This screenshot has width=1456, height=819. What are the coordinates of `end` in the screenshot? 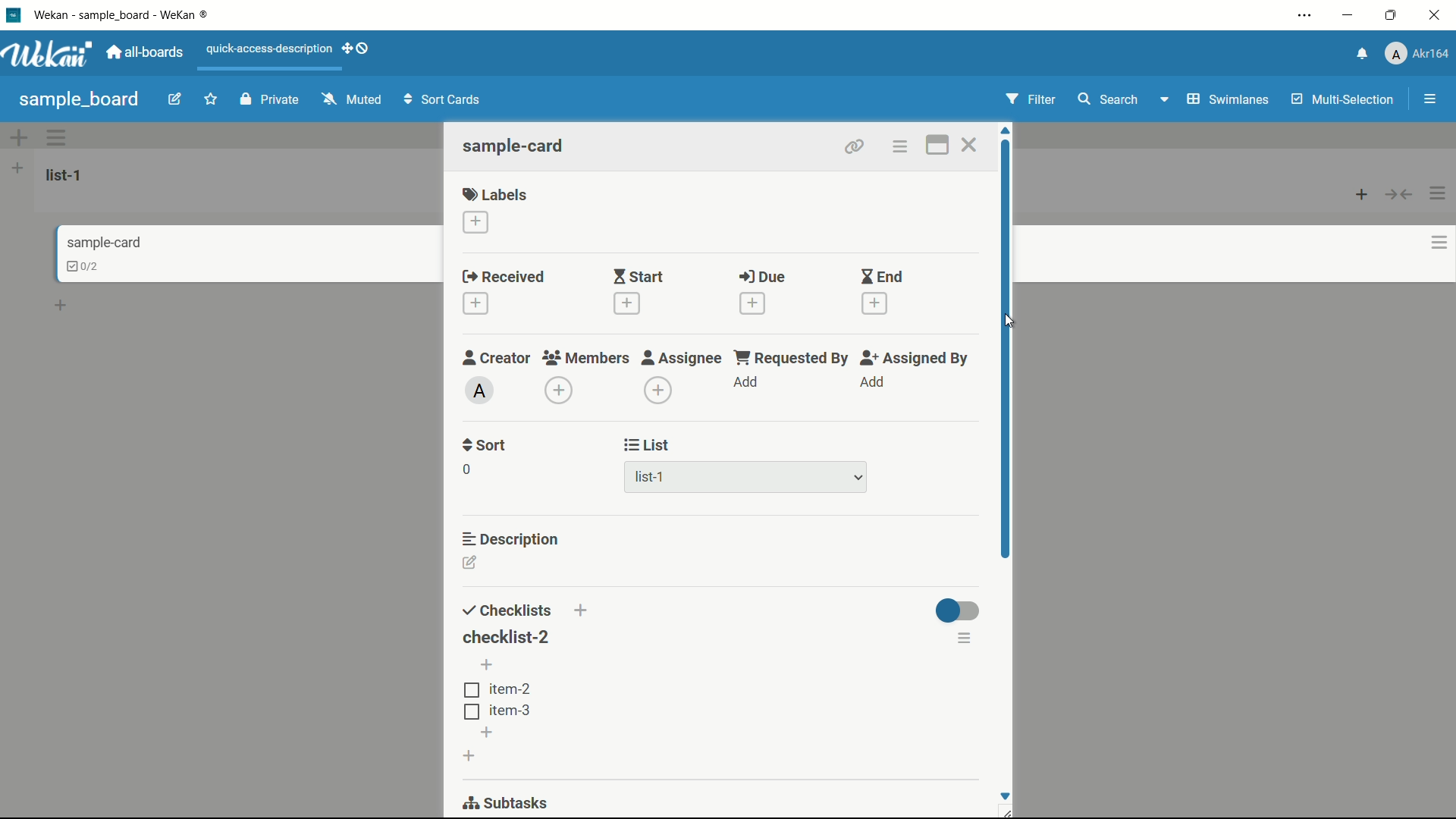 It's located at (883, 278).